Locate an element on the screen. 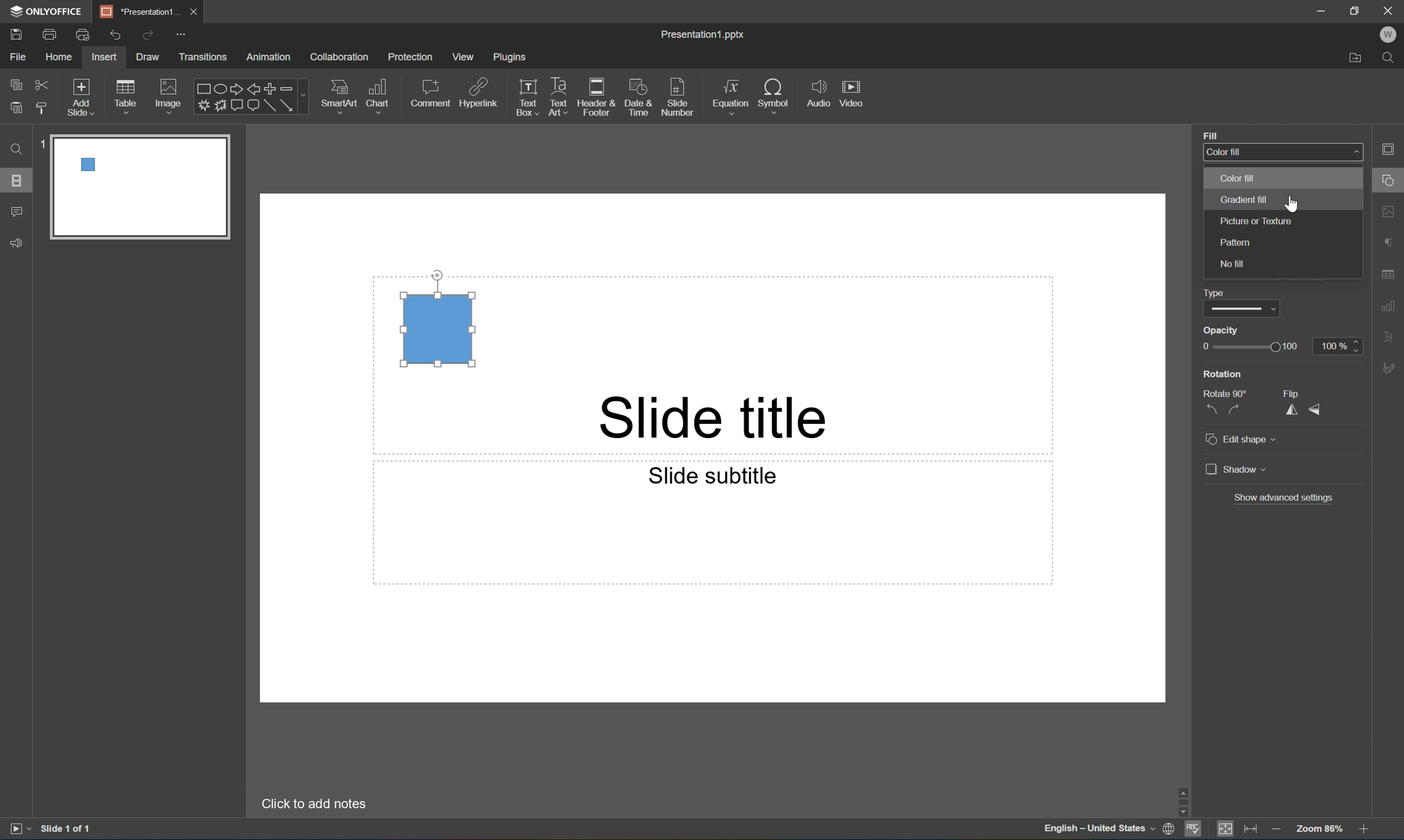 The width and height of the screenshot is (1404, 840). Customize quick access toolbar is located at coordinates (183, 36).